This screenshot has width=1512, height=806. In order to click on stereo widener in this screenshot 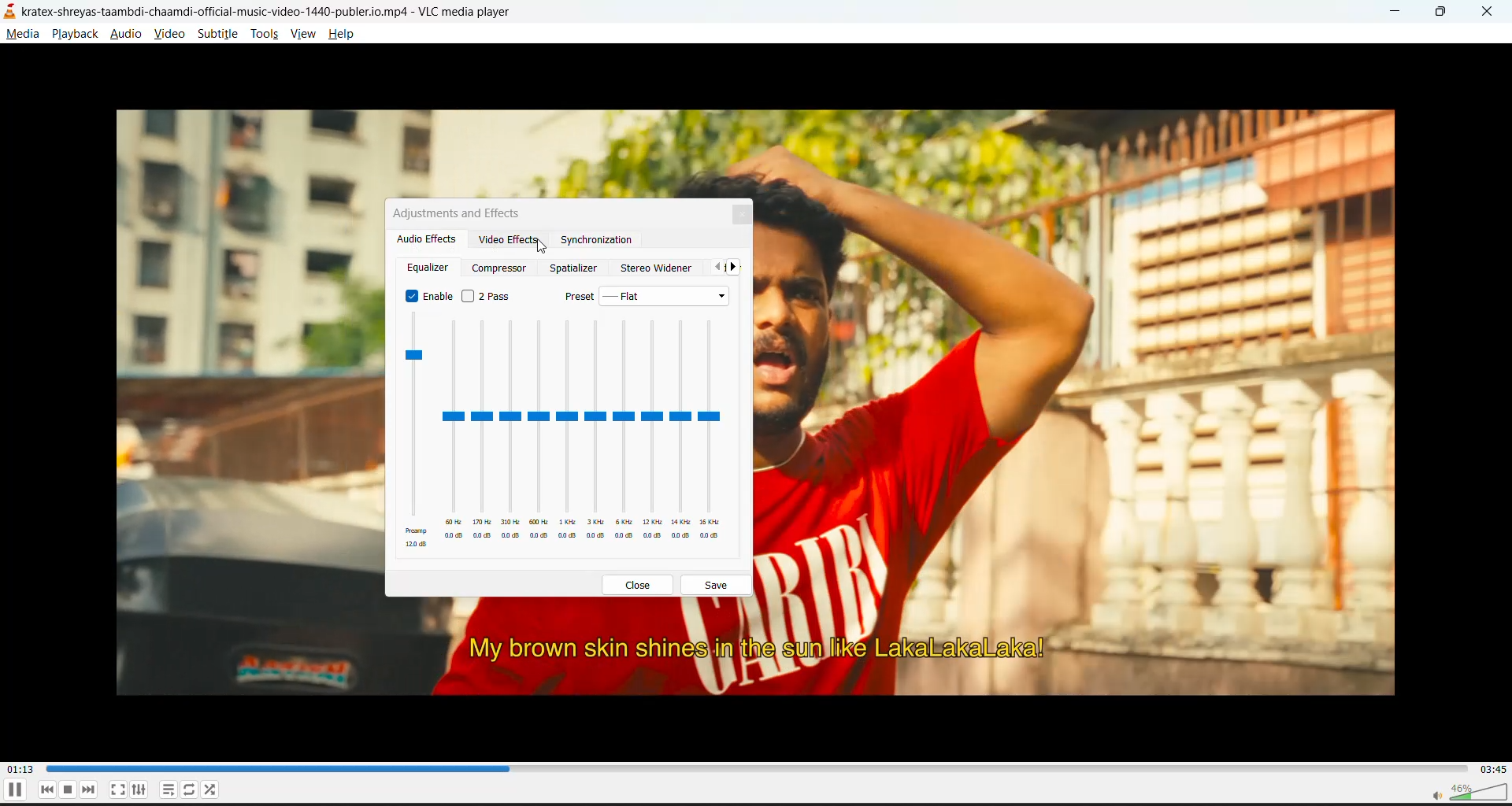, I will do `click(656, 269)`.